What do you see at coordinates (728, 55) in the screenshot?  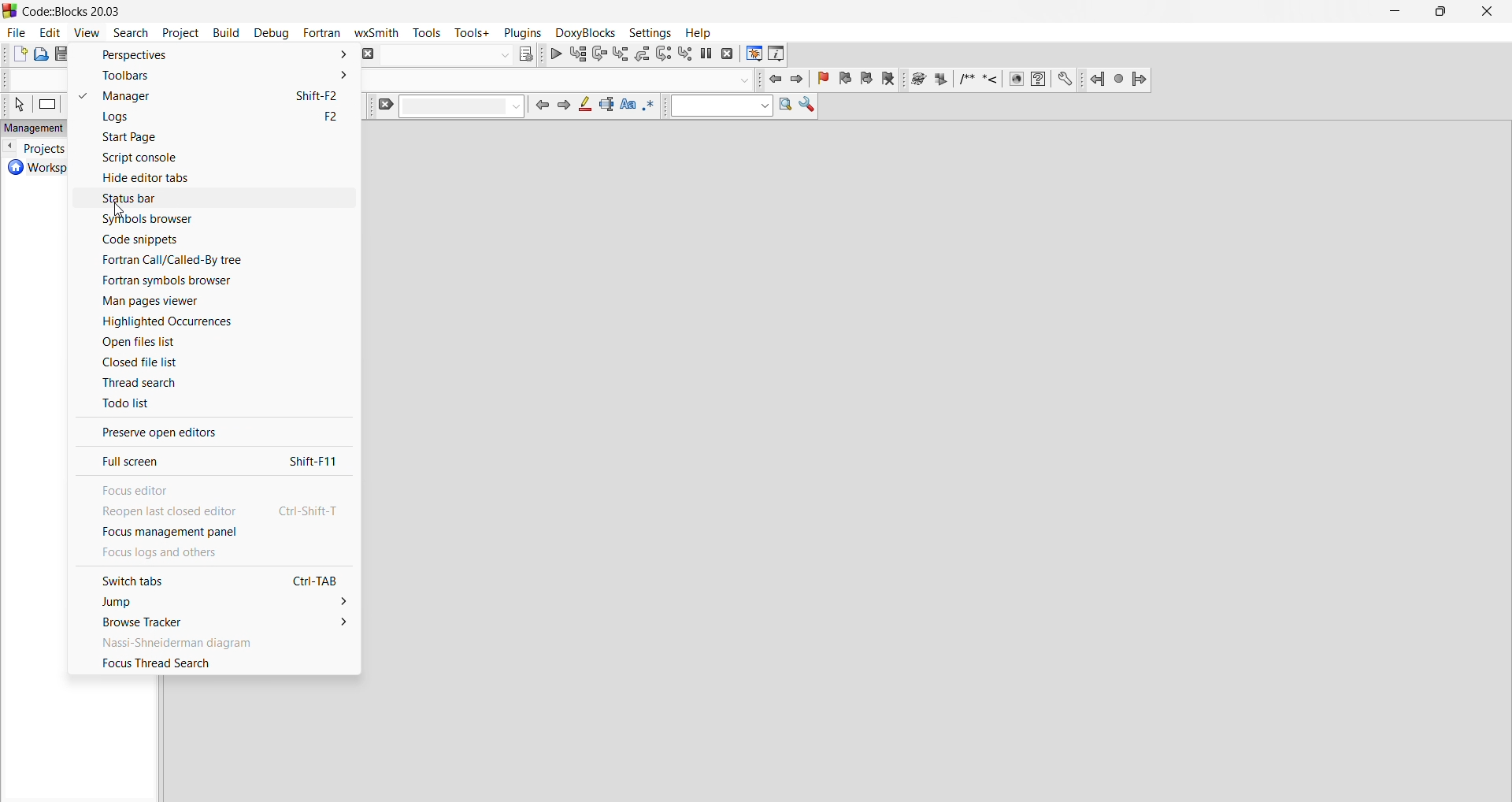 I see `stop debugger` at bounding box center [728, 55].